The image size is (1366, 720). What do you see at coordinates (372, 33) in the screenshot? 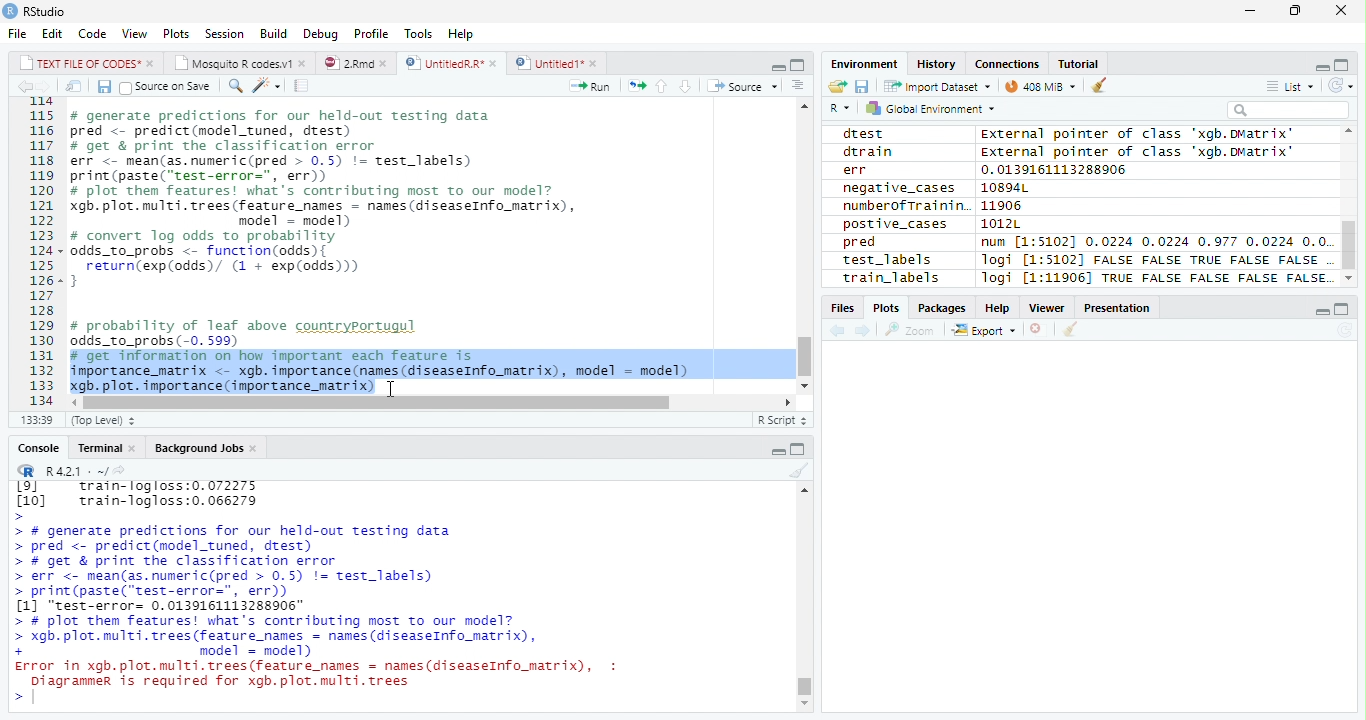
I see `Profile` at bounding box center [372, 33].